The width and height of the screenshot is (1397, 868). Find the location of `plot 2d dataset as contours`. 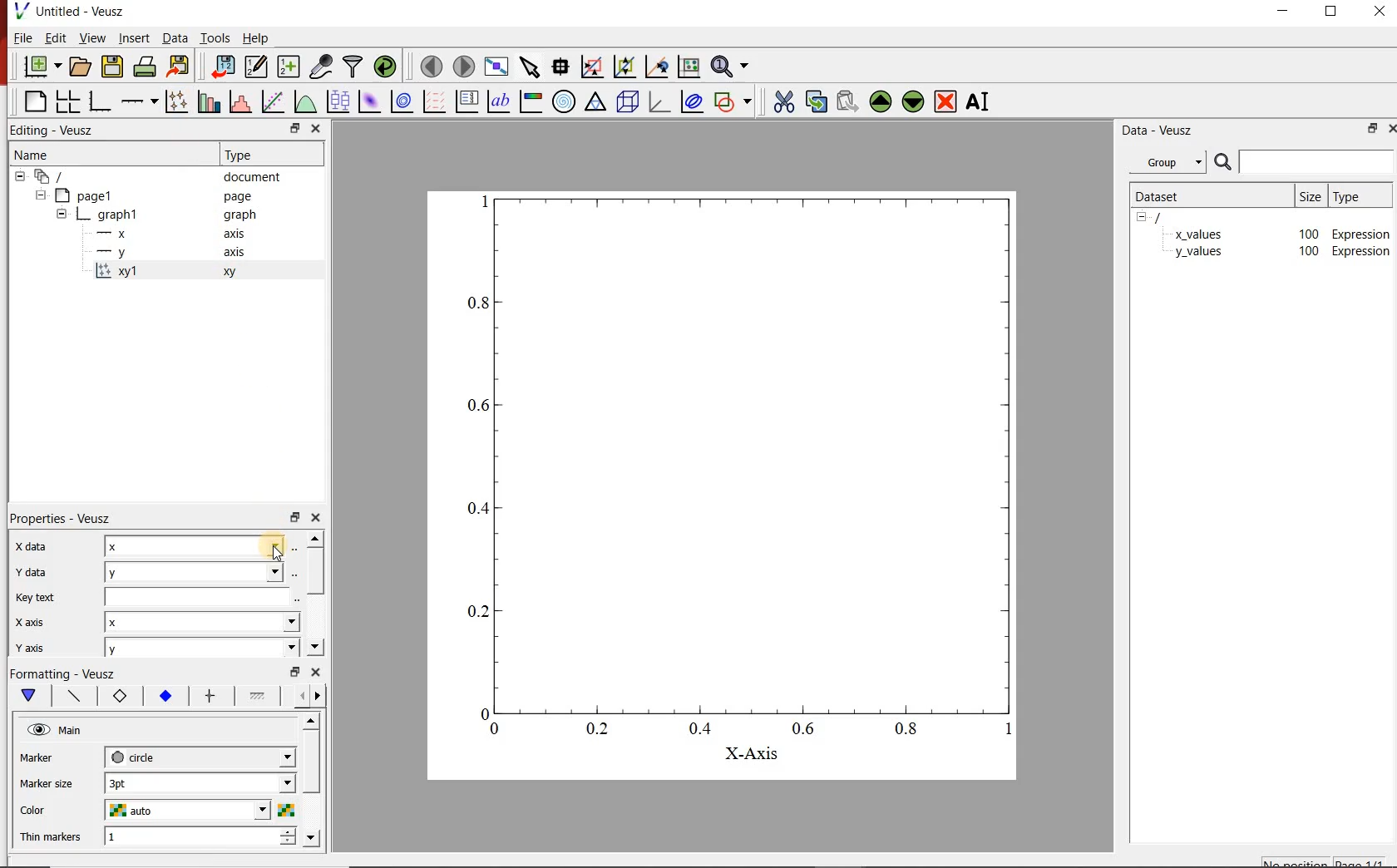

plot 2d dataset as contours is located at coordinates (403, 101).